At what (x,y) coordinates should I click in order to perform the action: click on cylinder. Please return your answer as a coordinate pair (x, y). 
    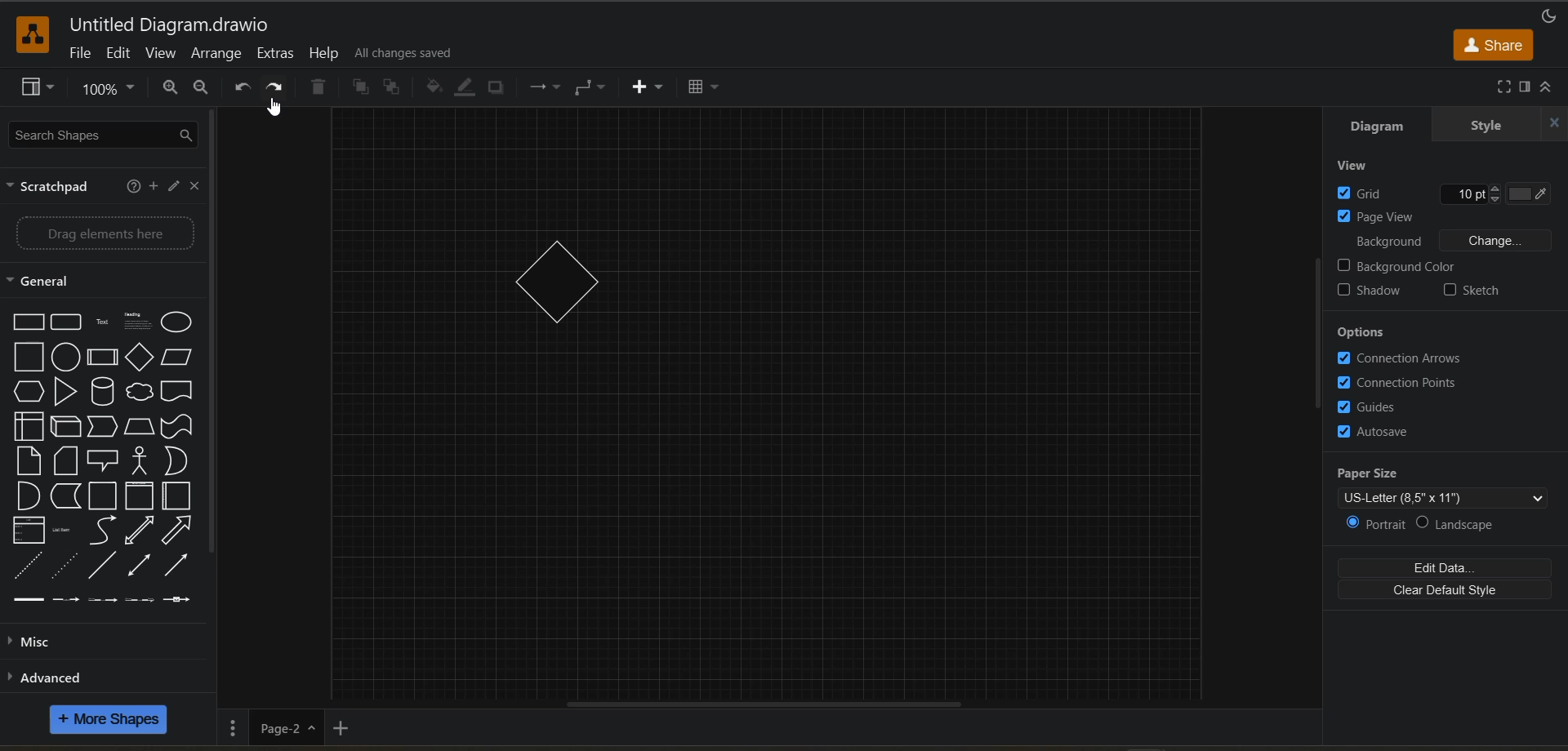
    Looking at the image, I should click on (100, 391).